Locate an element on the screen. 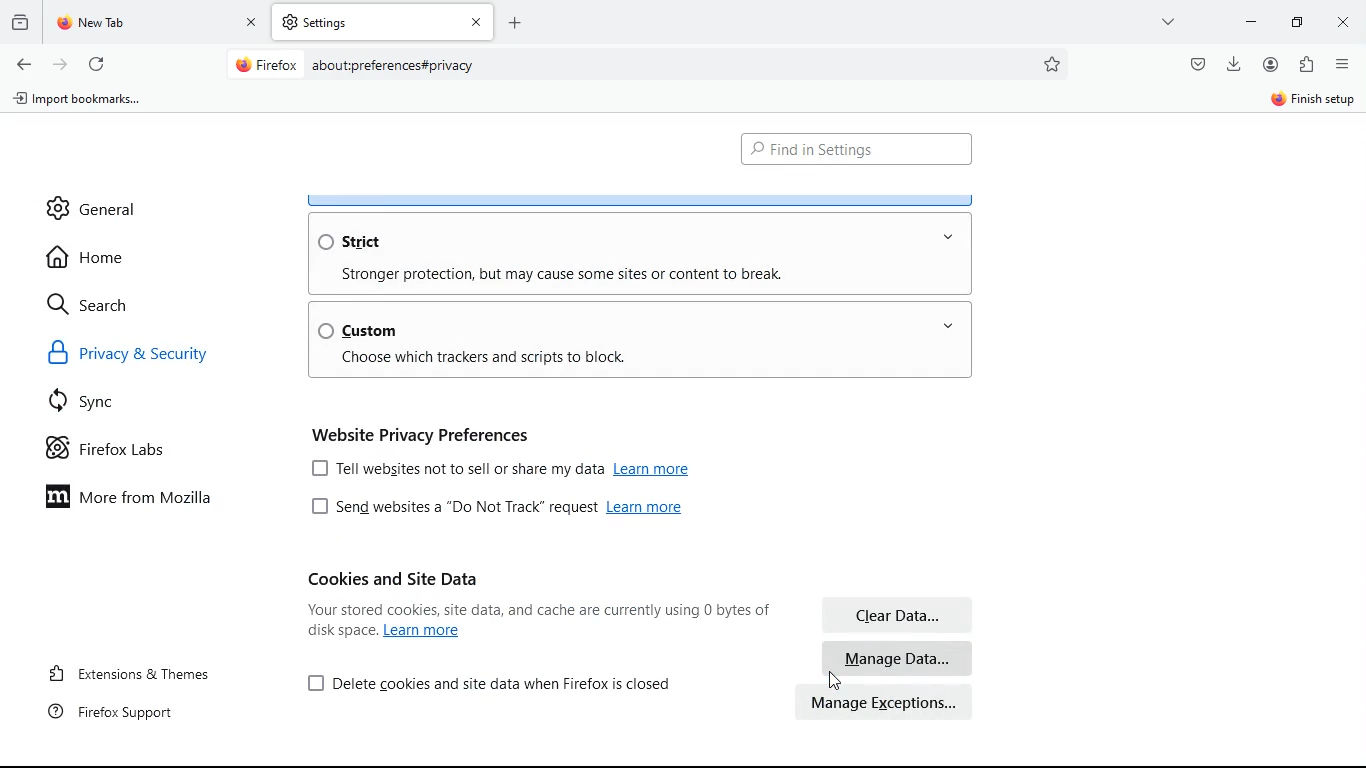 Image resolution: width=1366 pixels, height=768 pixels. Stronger protection, but may cause some sites or content to break. is located at coordinates (565, 273).